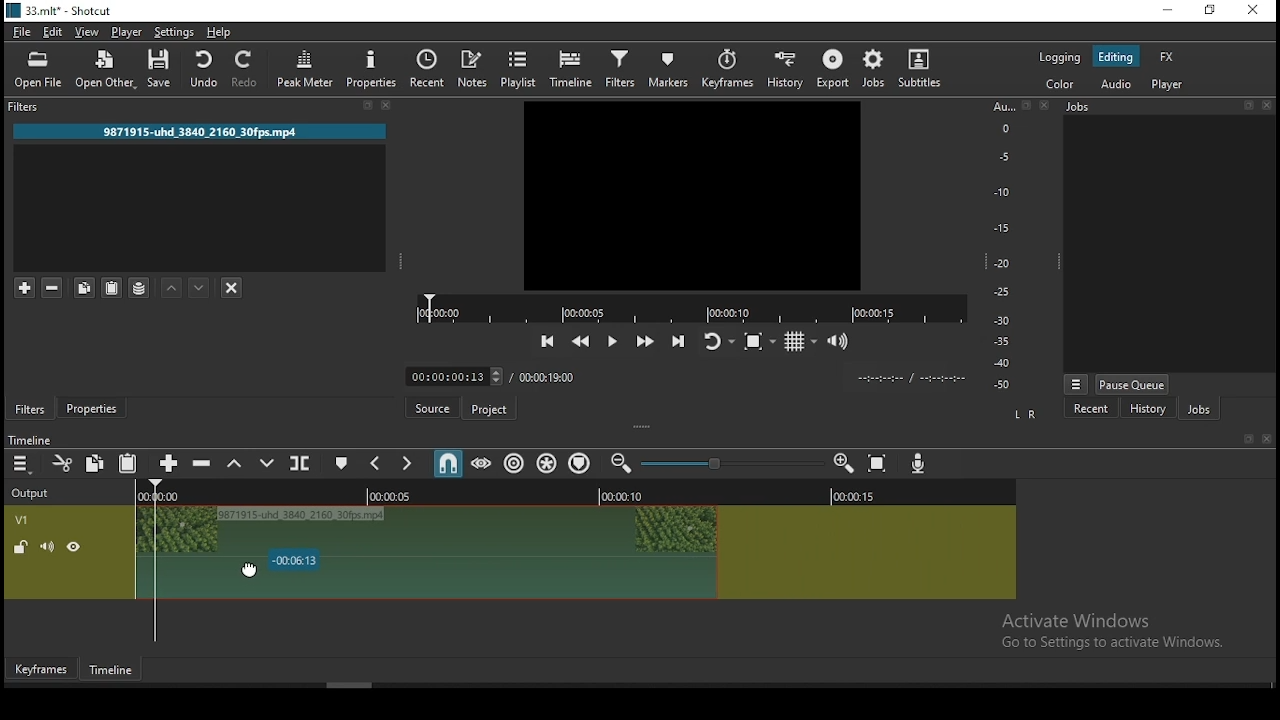 The width and height of the screenshot is (1280, 720). I want to click on 00:00:00:13 3] / 00:00:19:00, so click(488, 376).